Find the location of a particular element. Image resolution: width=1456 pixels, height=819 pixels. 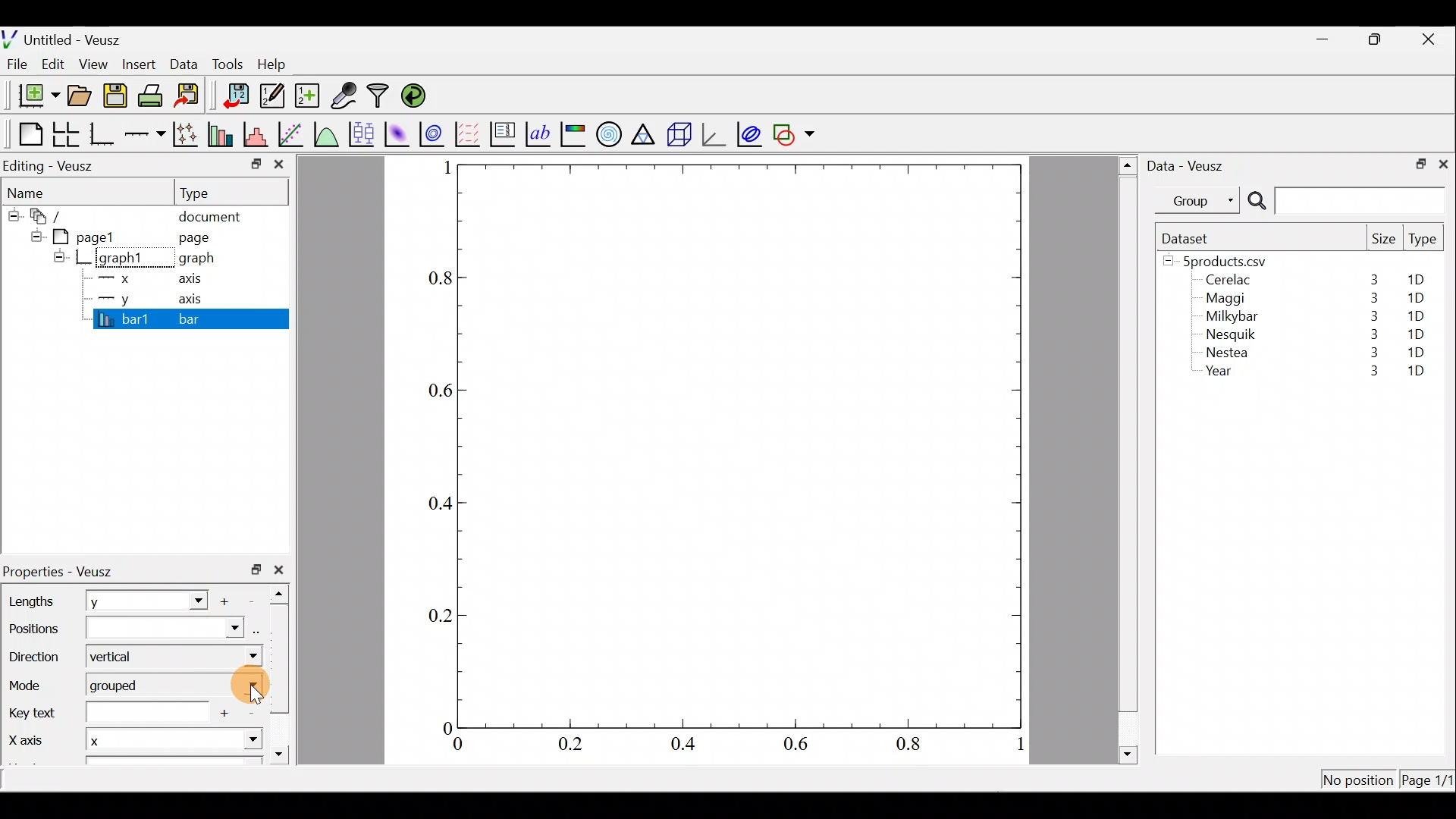

Print the document is located at coordinates (155, 95).